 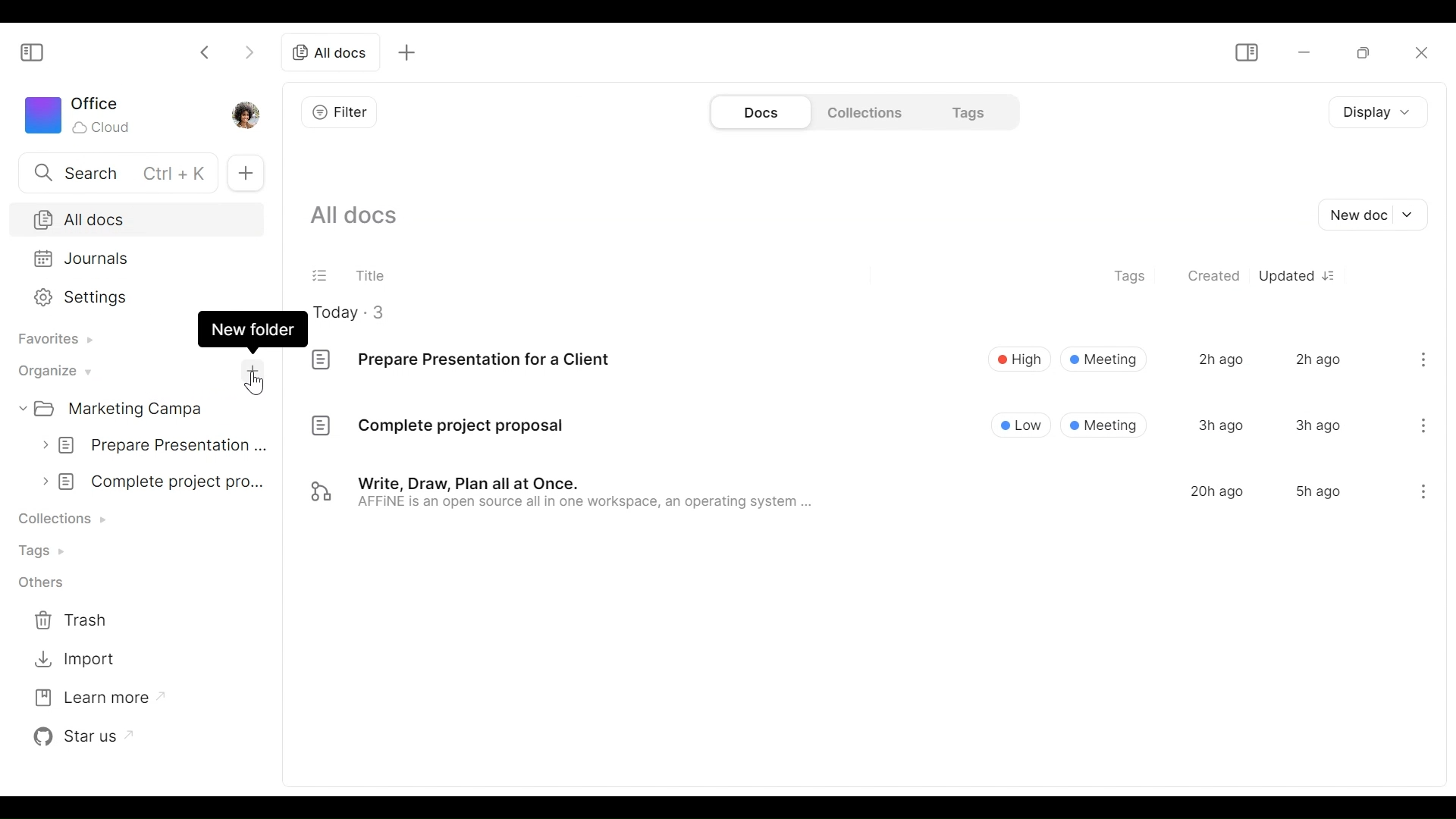 What do you see at coordinates (52, 339) in the screenshot?
I see `Favorites` at bounding box center [52, 339].